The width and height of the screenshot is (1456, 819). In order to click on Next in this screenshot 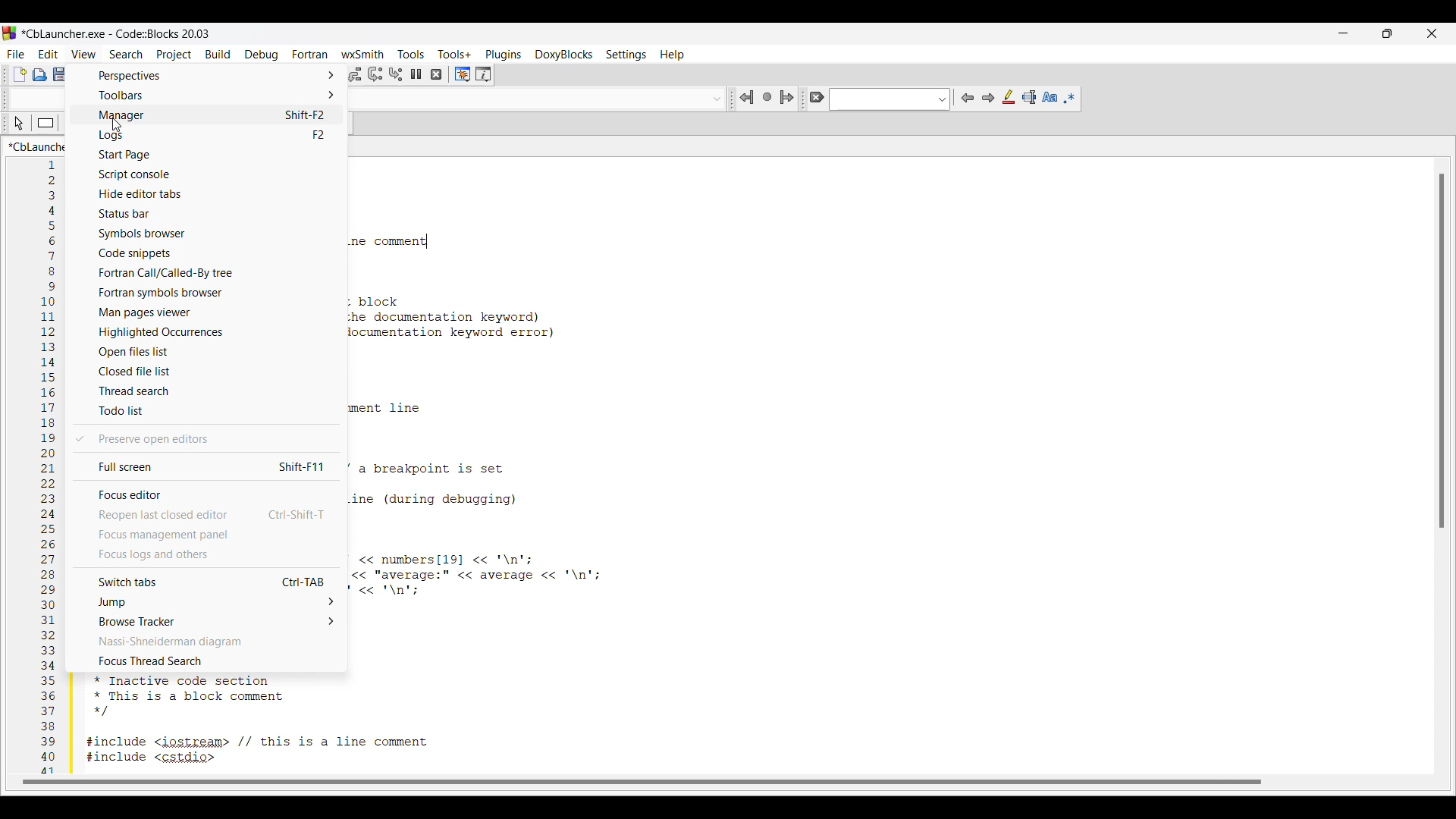, I will do `click(988, 98)`.